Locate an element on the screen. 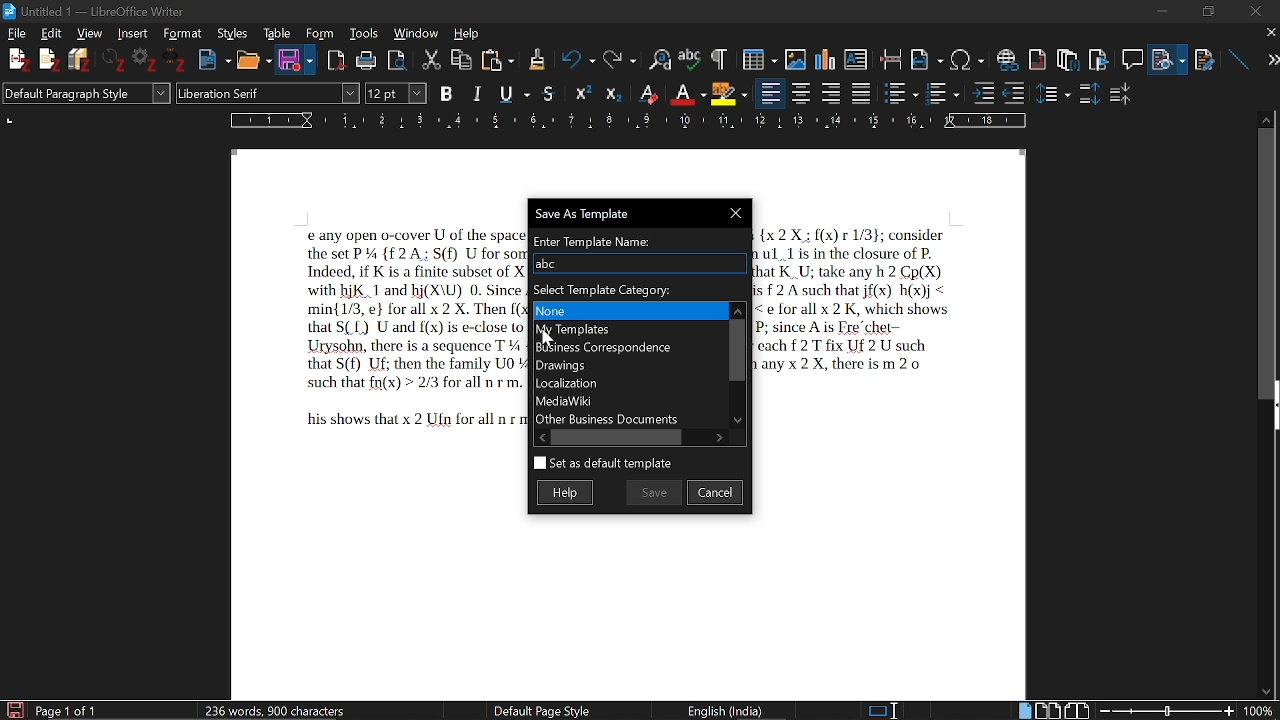 The width and height of the screenshot is (1280, 720). Open is located at coordinates (251, 60).